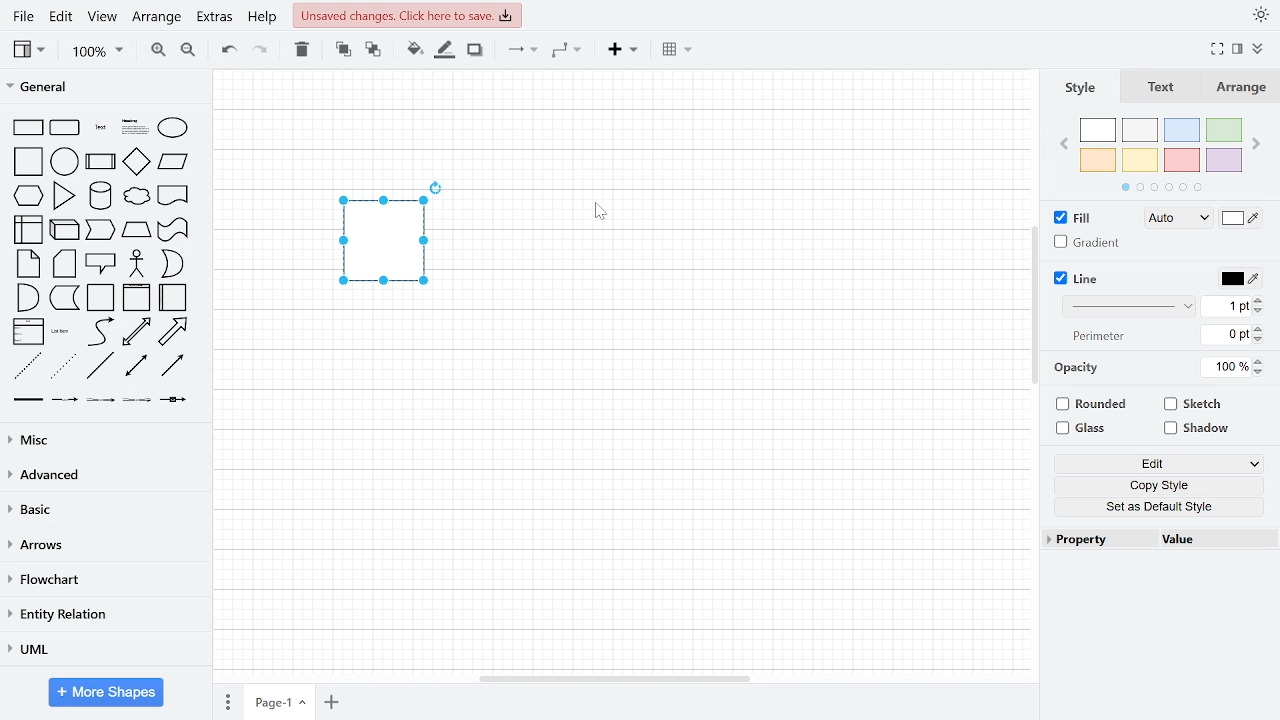  I want to click on line color, so click(1239, 279).